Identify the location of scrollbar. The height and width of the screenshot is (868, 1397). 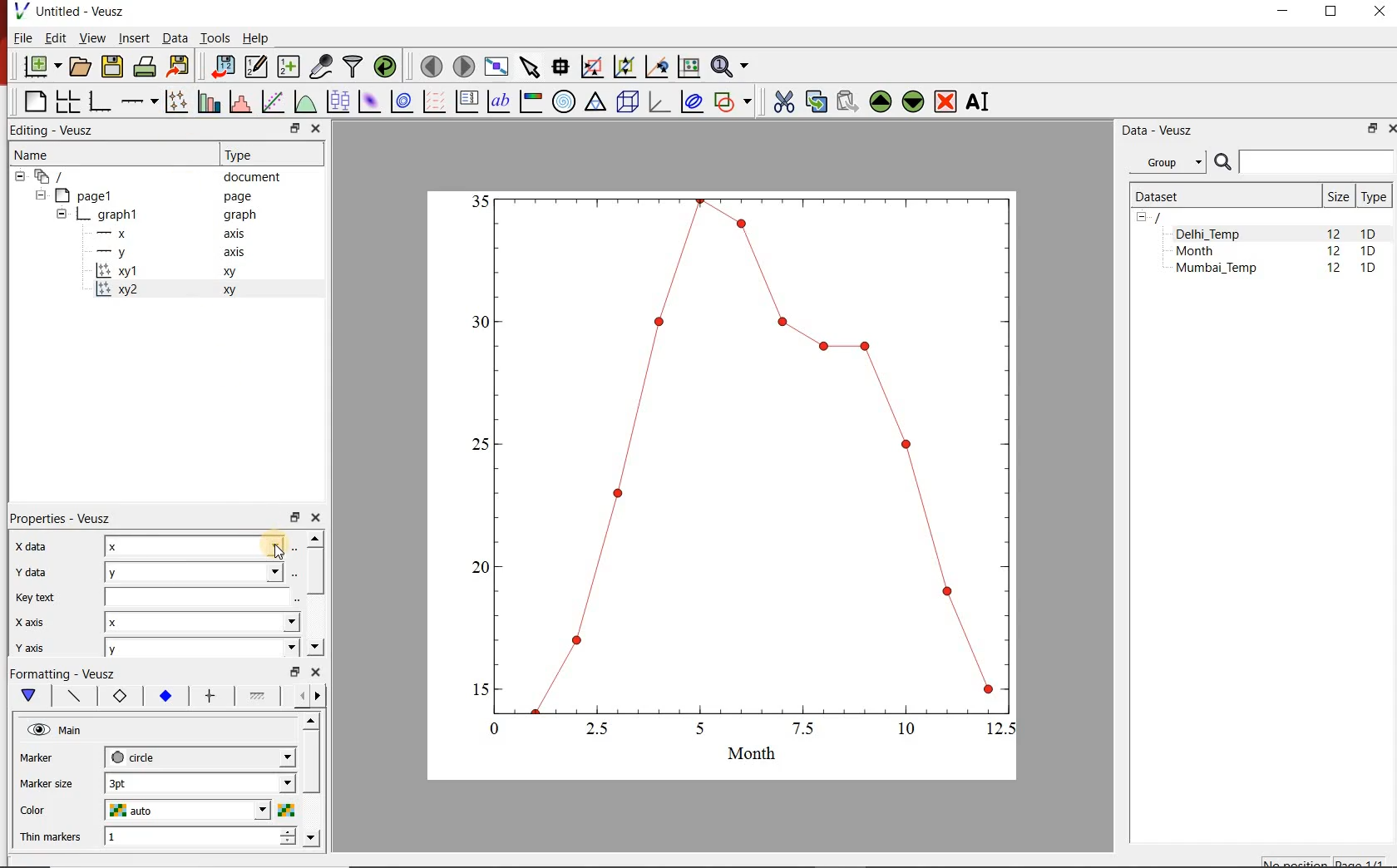
(314, 594).